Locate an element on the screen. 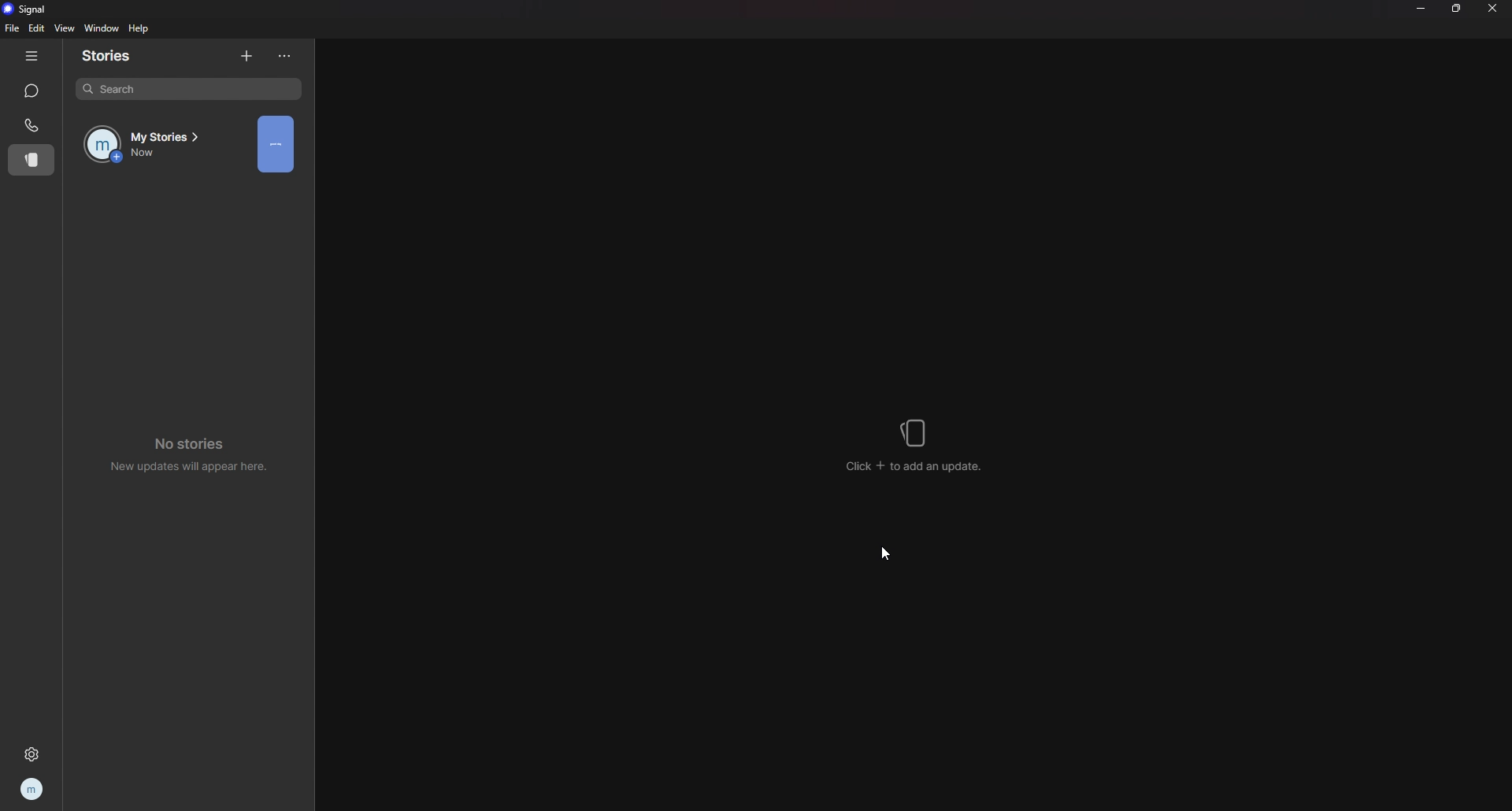 This screenshot has width=1512, height=811. profile is located at coordinates (33, 789).